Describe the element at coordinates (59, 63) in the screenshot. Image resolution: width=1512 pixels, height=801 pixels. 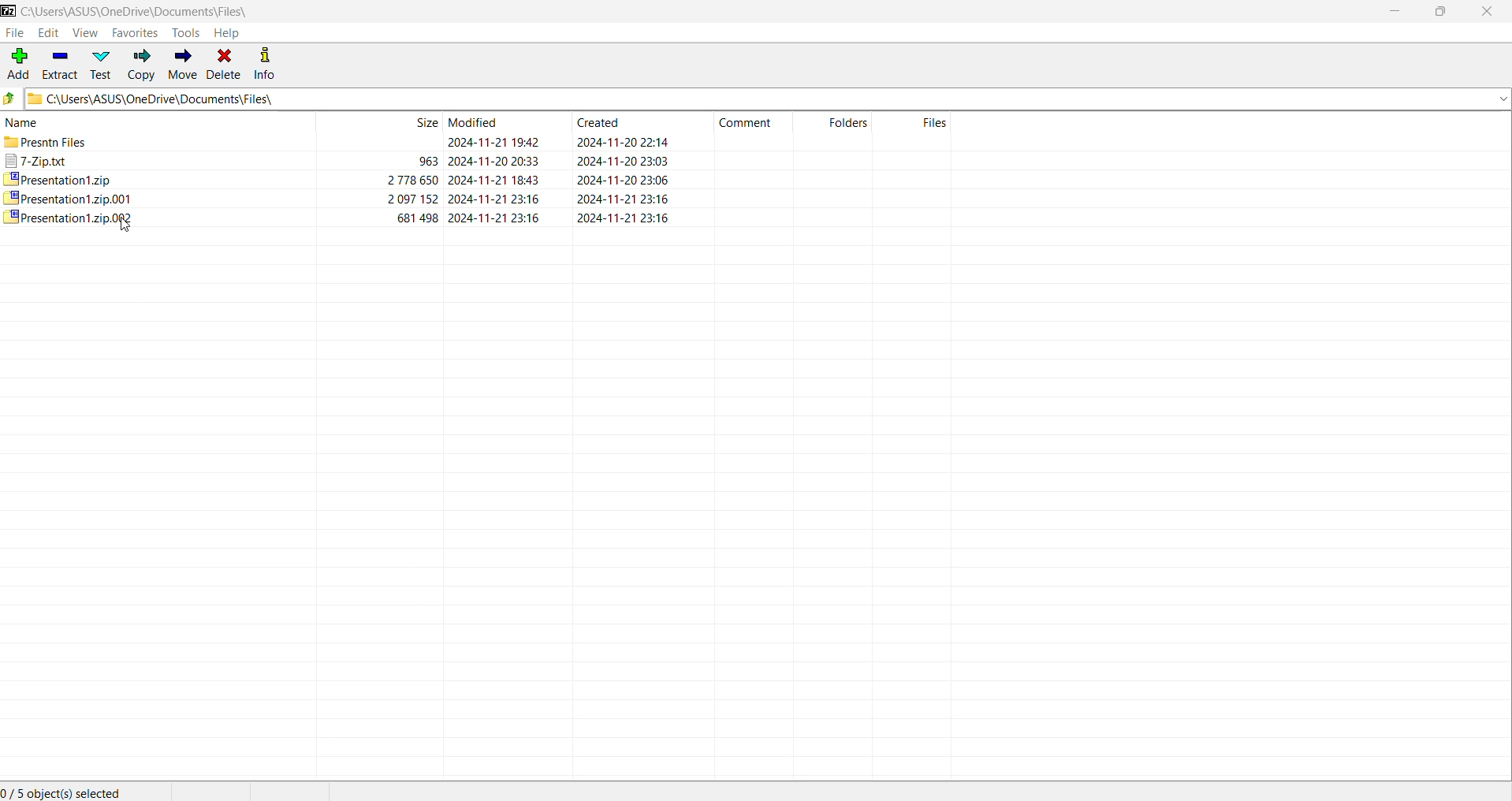
I see `Extract` at that location.